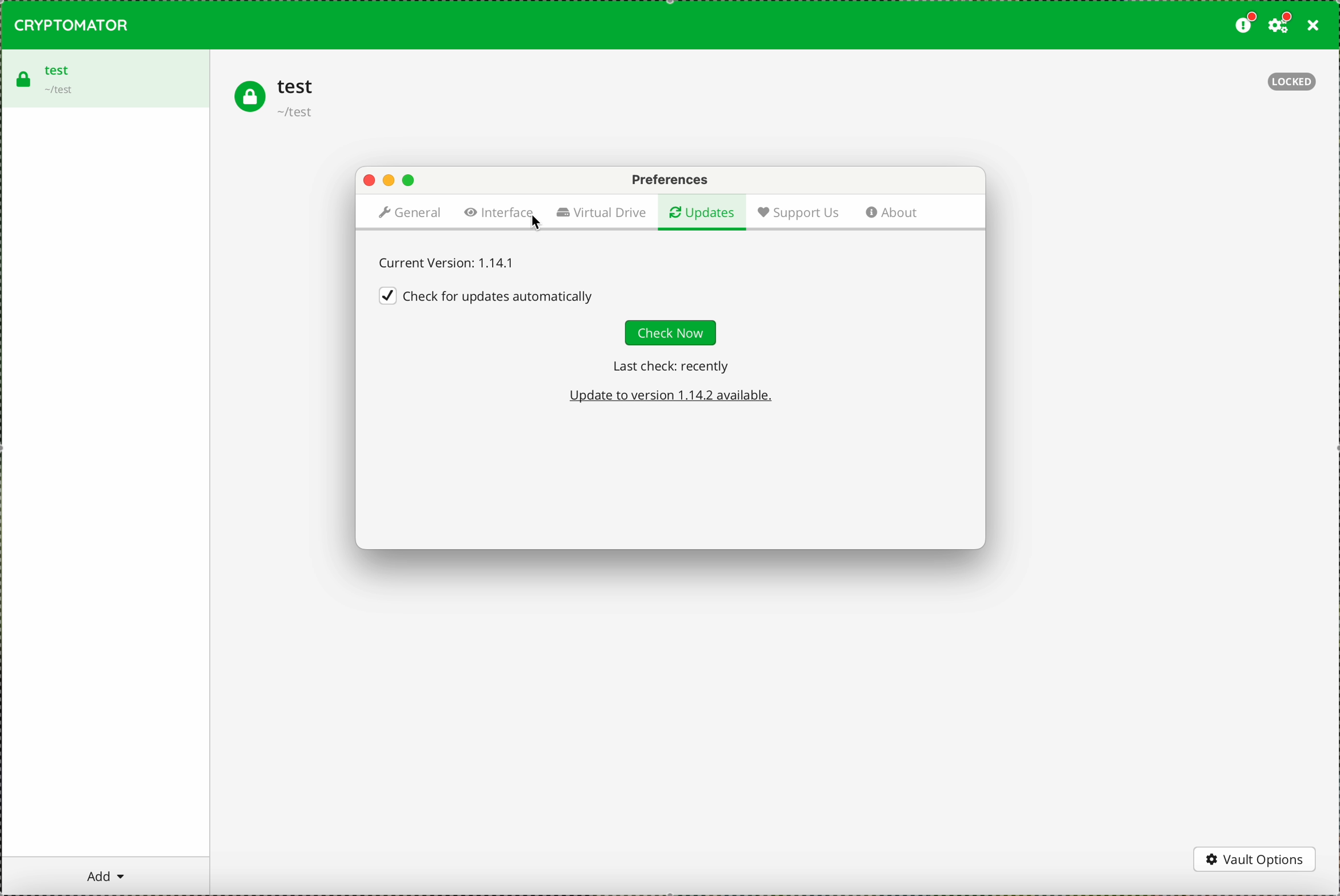 Image resolution: width=1340 pixels, height=896 pixels. Describe the element at coordinates (668, 367) in the screenshot. I see `last check: recently` at that location.